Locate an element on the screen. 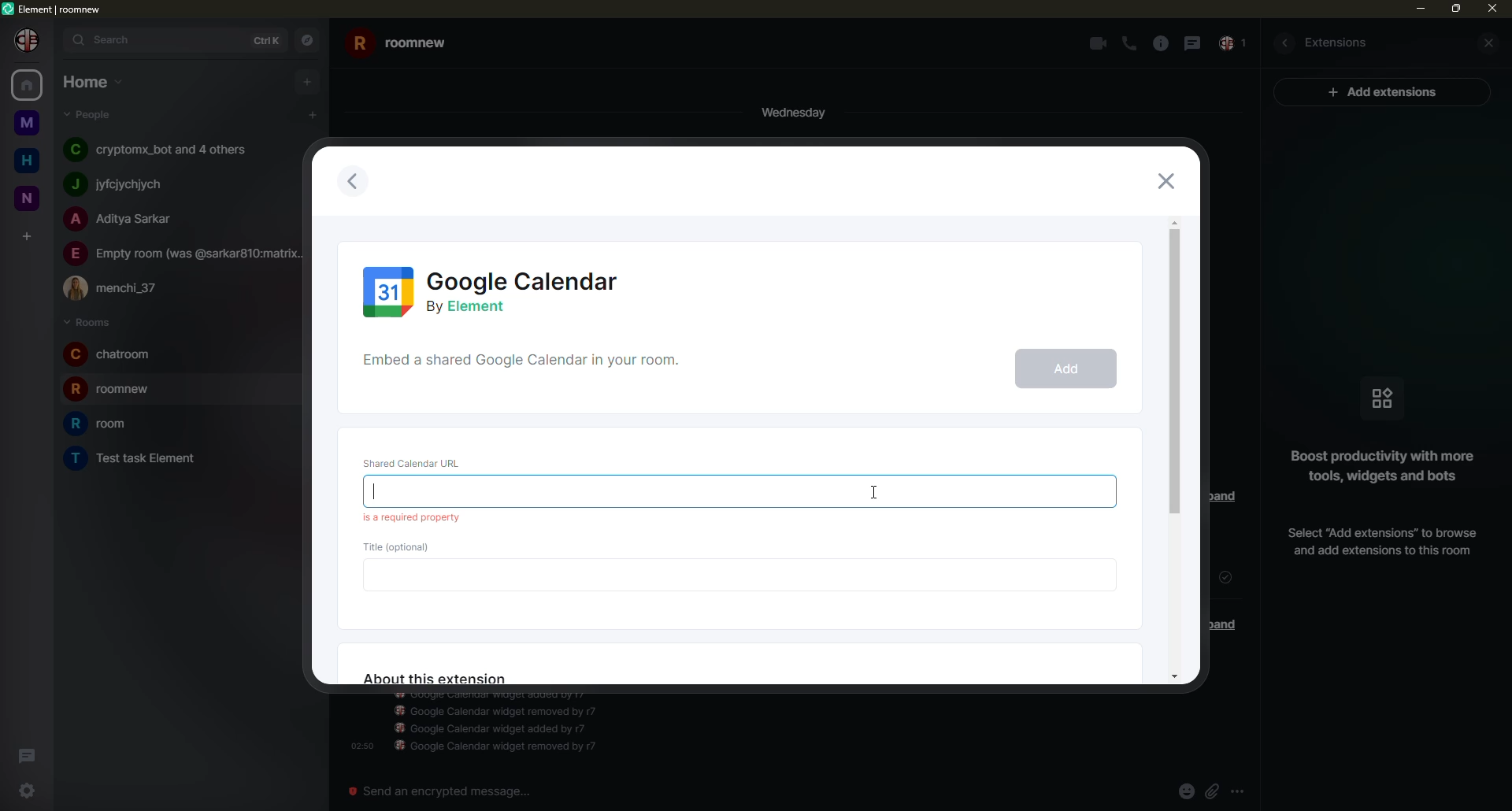 Image resolution: width=1512 pixels, height=811 pixels. about is located at coordinates (435, 679).